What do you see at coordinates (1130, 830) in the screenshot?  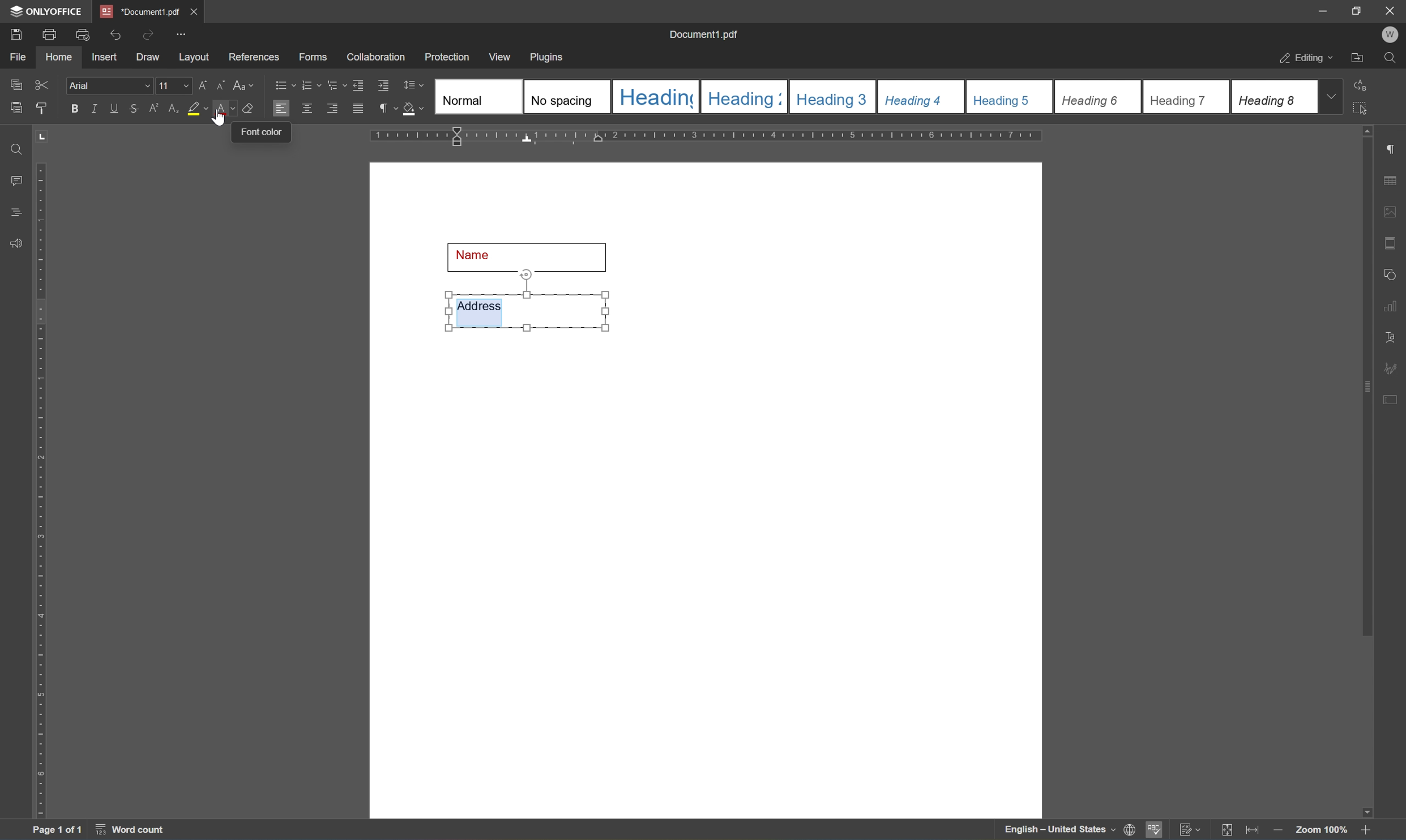 I see `set document langauge` at bounding box center [1130, 830].